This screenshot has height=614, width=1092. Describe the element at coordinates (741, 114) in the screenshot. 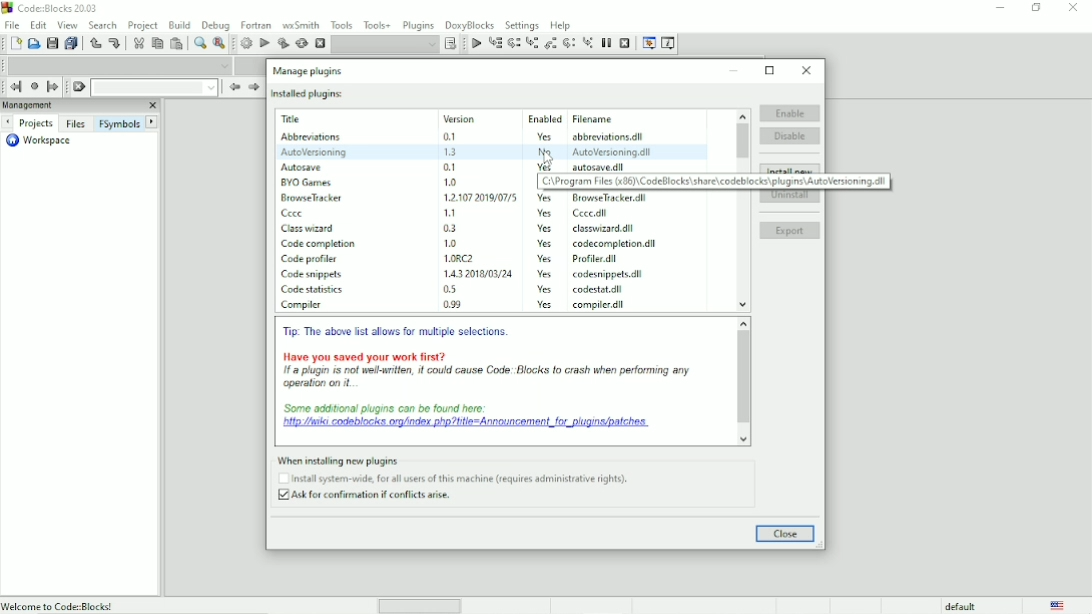

I see `scroll up ` at that location.